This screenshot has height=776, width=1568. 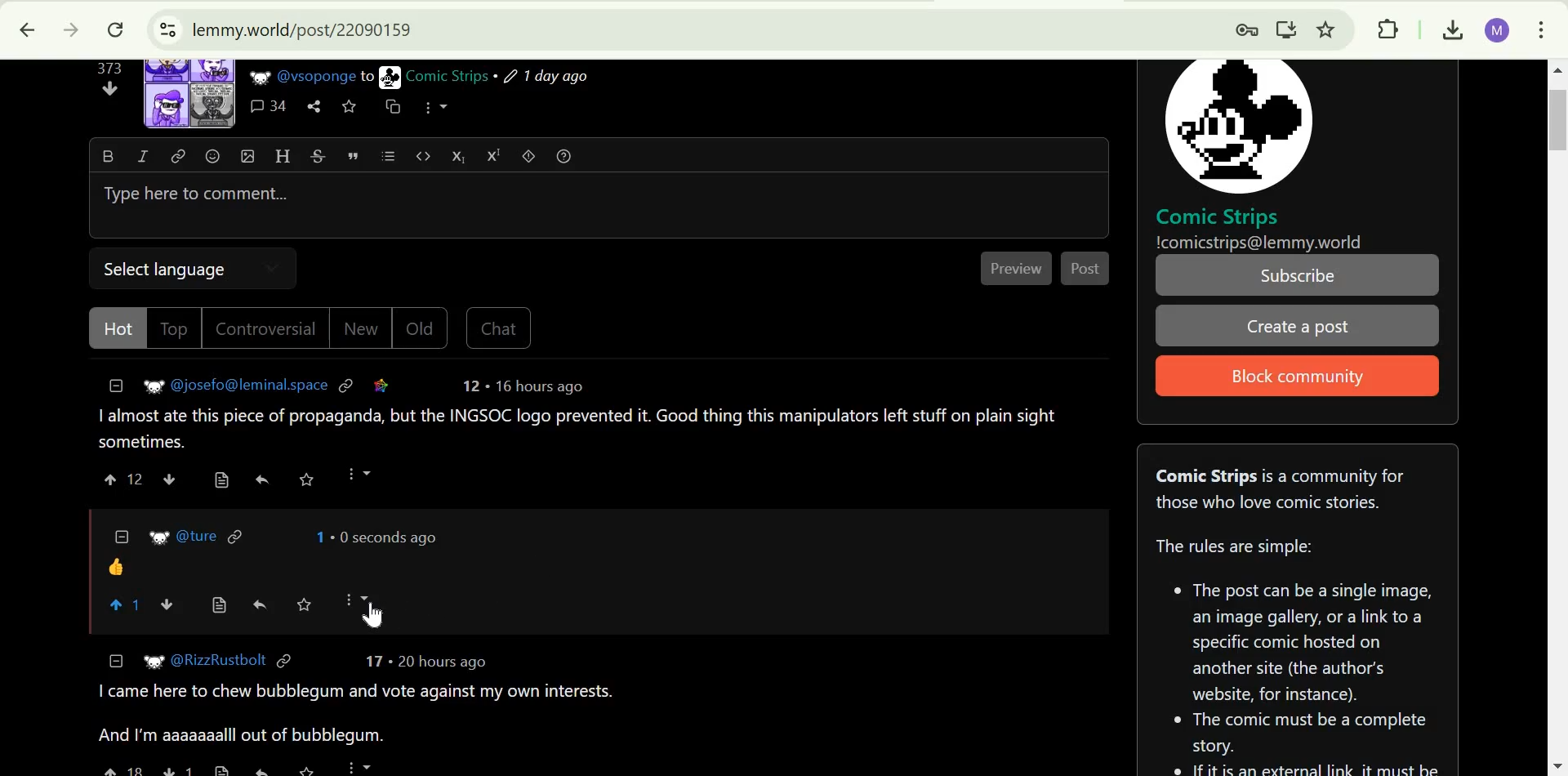 I want to click on View site information, so click(x=165, y=30).